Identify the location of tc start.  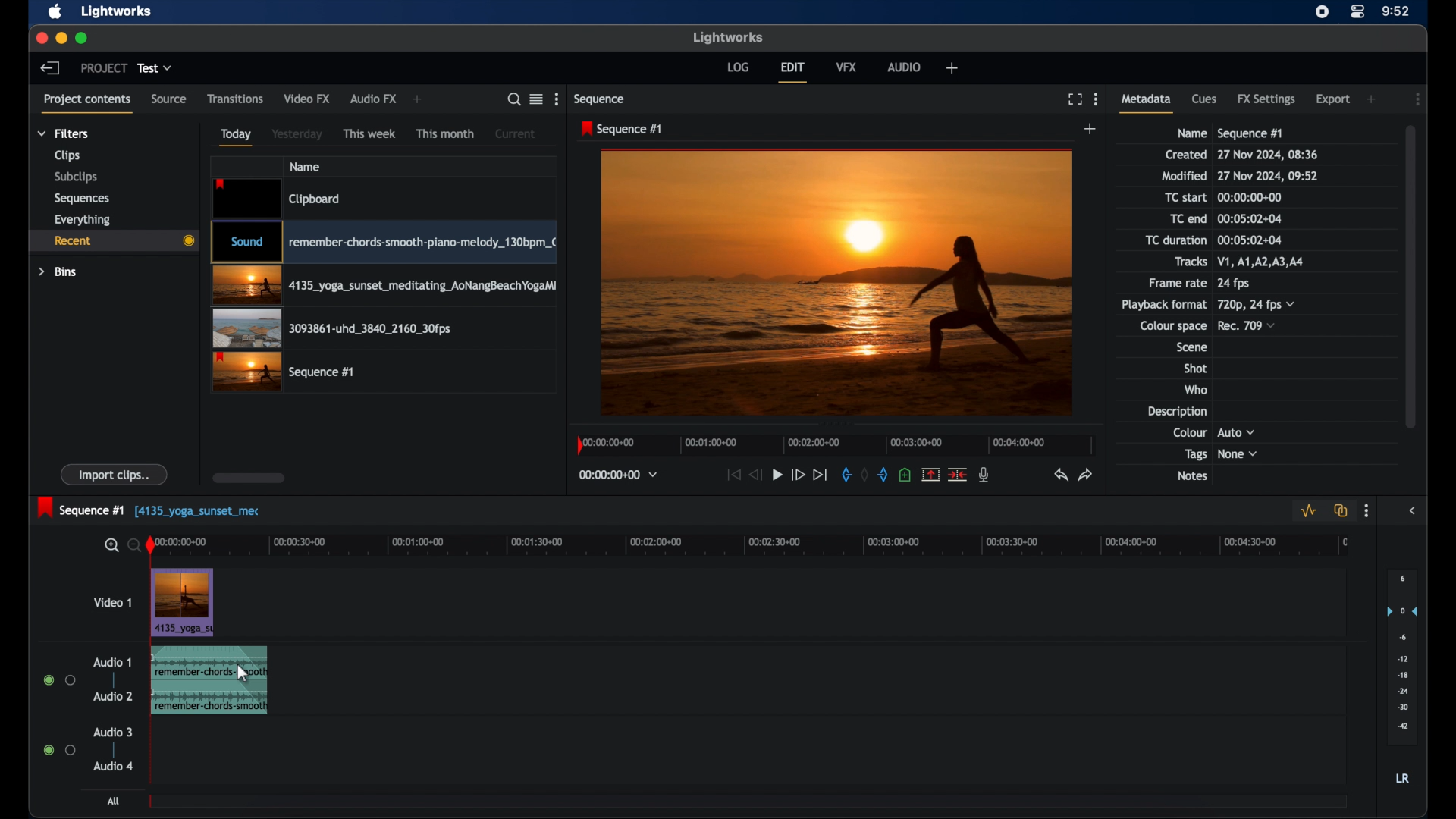
(1187, 196).